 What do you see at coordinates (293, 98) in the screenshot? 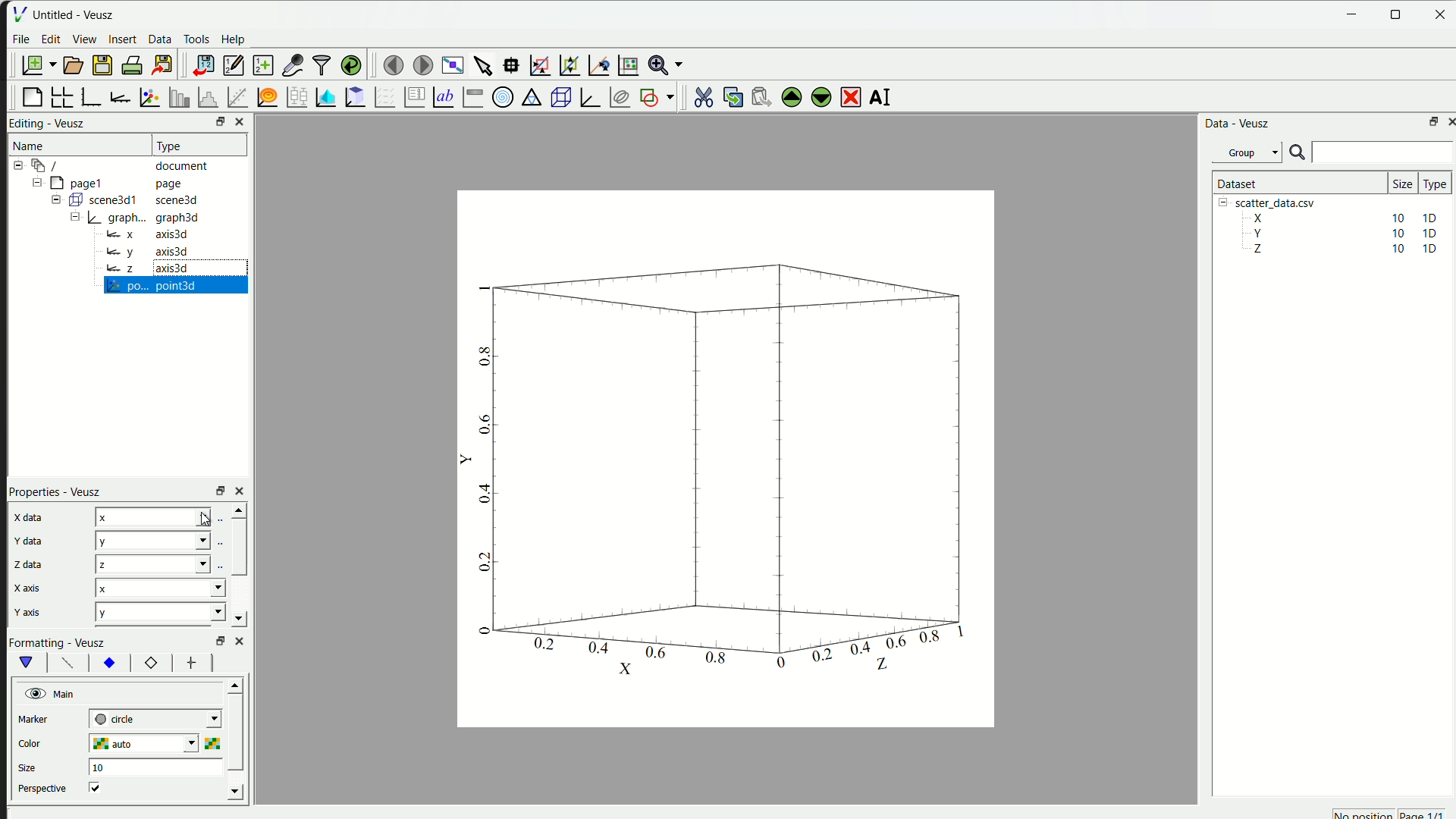
I see `plot box plots` at bounding box center [293, 98].